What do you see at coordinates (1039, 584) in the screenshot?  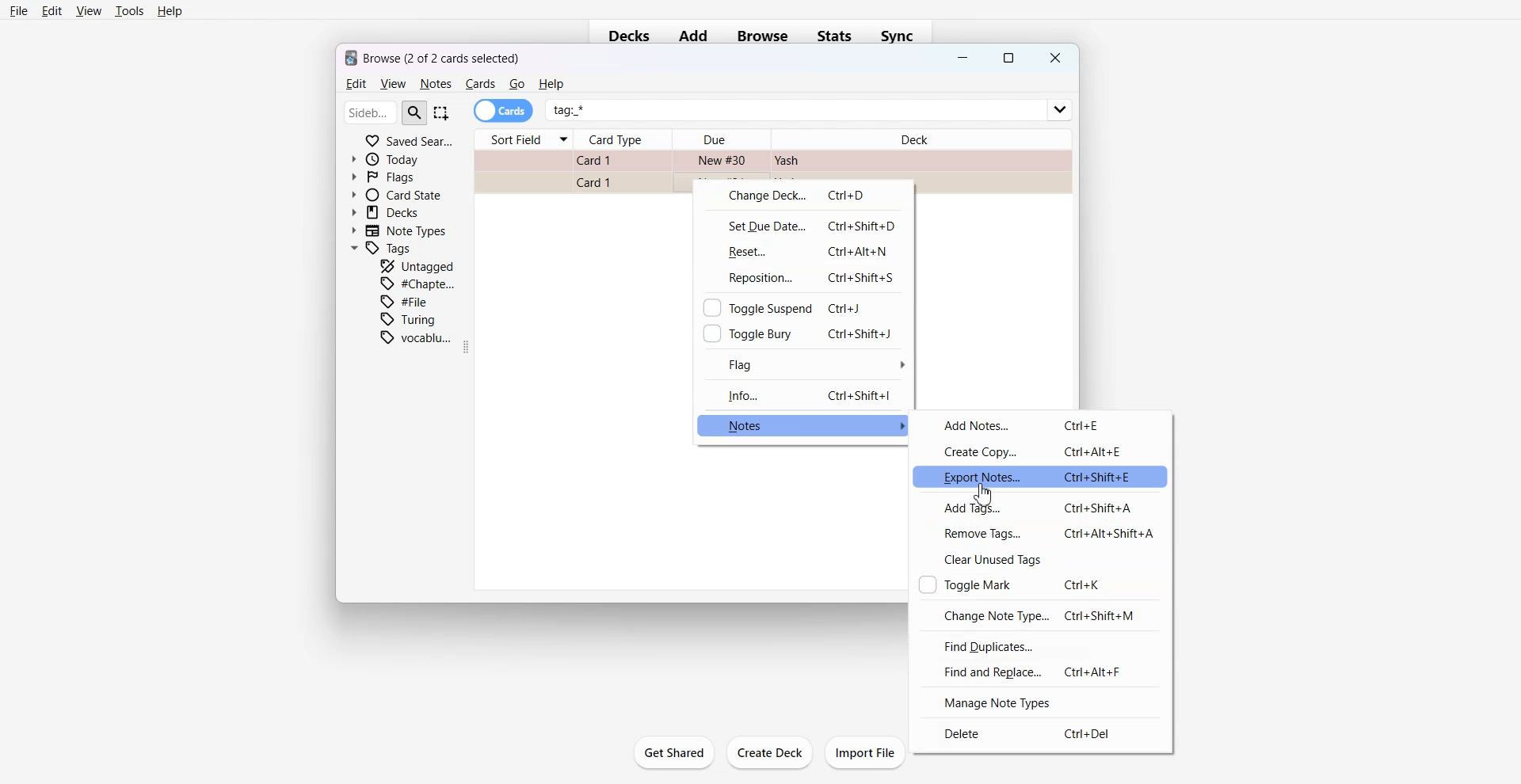 I see `Toggle Mark` at bounding box center [1039, 584].